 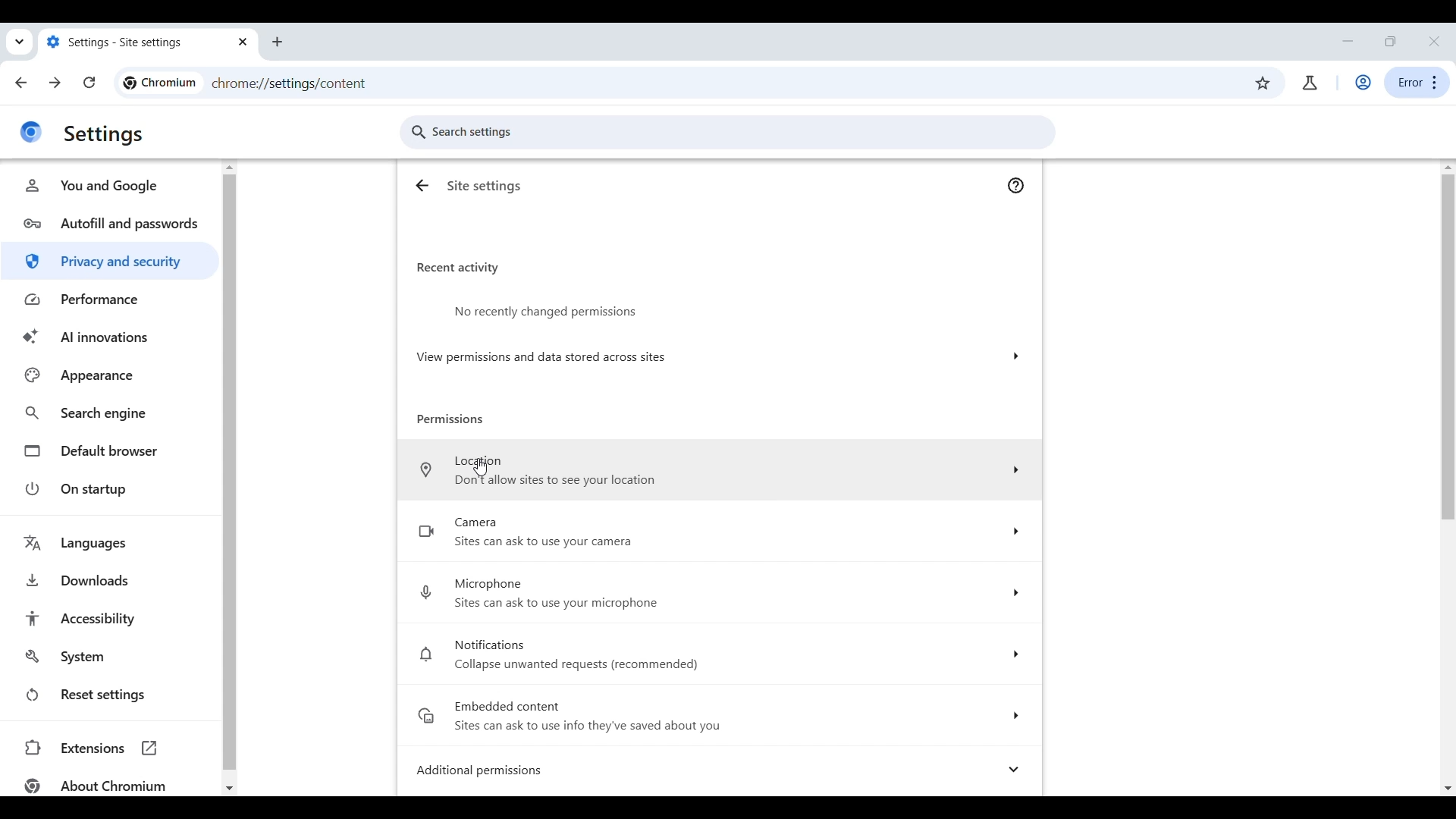 I want to click on Quick slide to top, so click(x=1448, y=166).